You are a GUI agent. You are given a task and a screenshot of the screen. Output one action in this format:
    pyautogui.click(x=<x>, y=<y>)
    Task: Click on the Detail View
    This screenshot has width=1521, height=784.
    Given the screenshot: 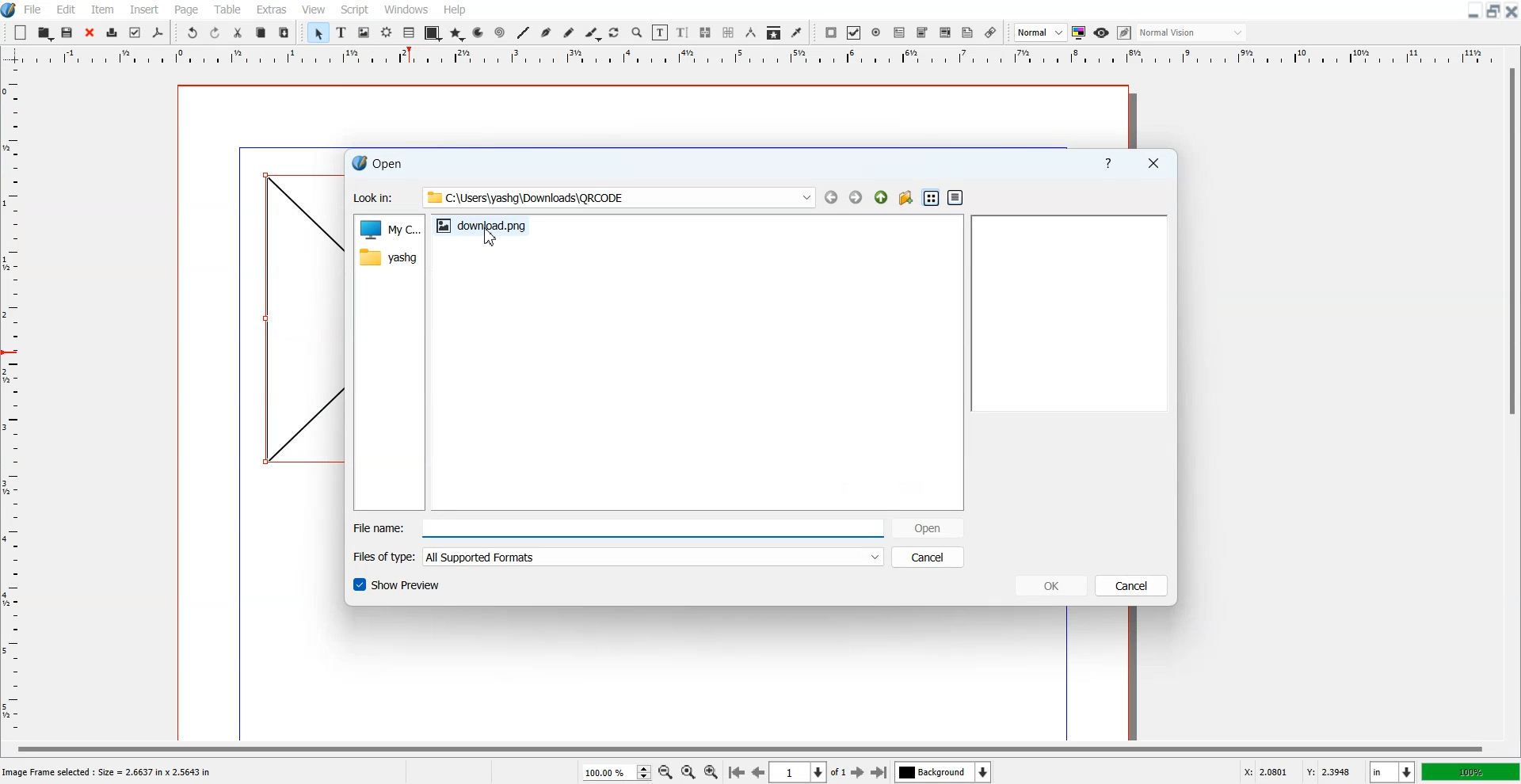 What is the action you would take?
    pyautogui.click(x=955, y=197)
    